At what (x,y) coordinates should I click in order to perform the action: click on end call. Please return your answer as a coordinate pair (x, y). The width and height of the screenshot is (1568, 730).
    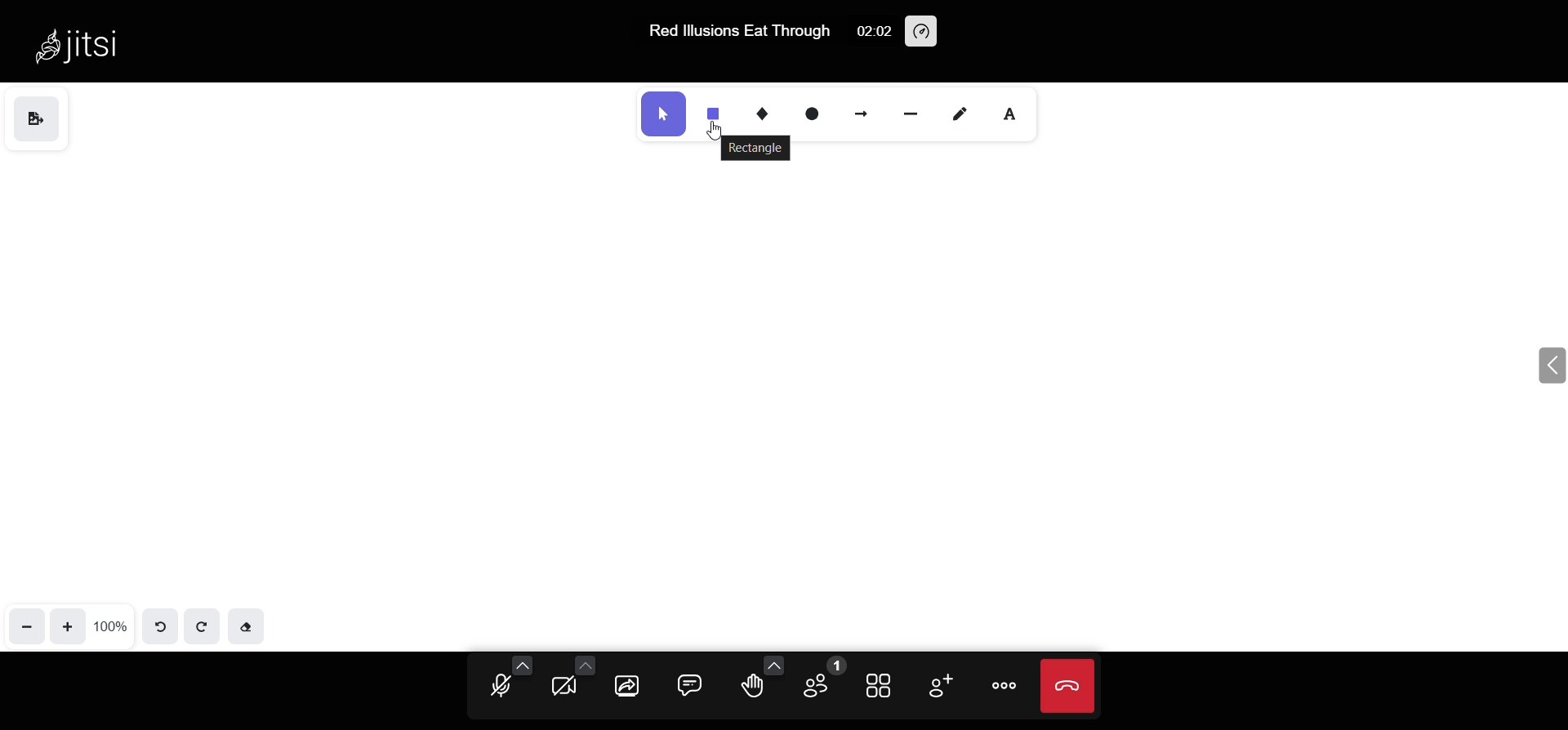
    Looking at the image, I should click on (1069, 686).